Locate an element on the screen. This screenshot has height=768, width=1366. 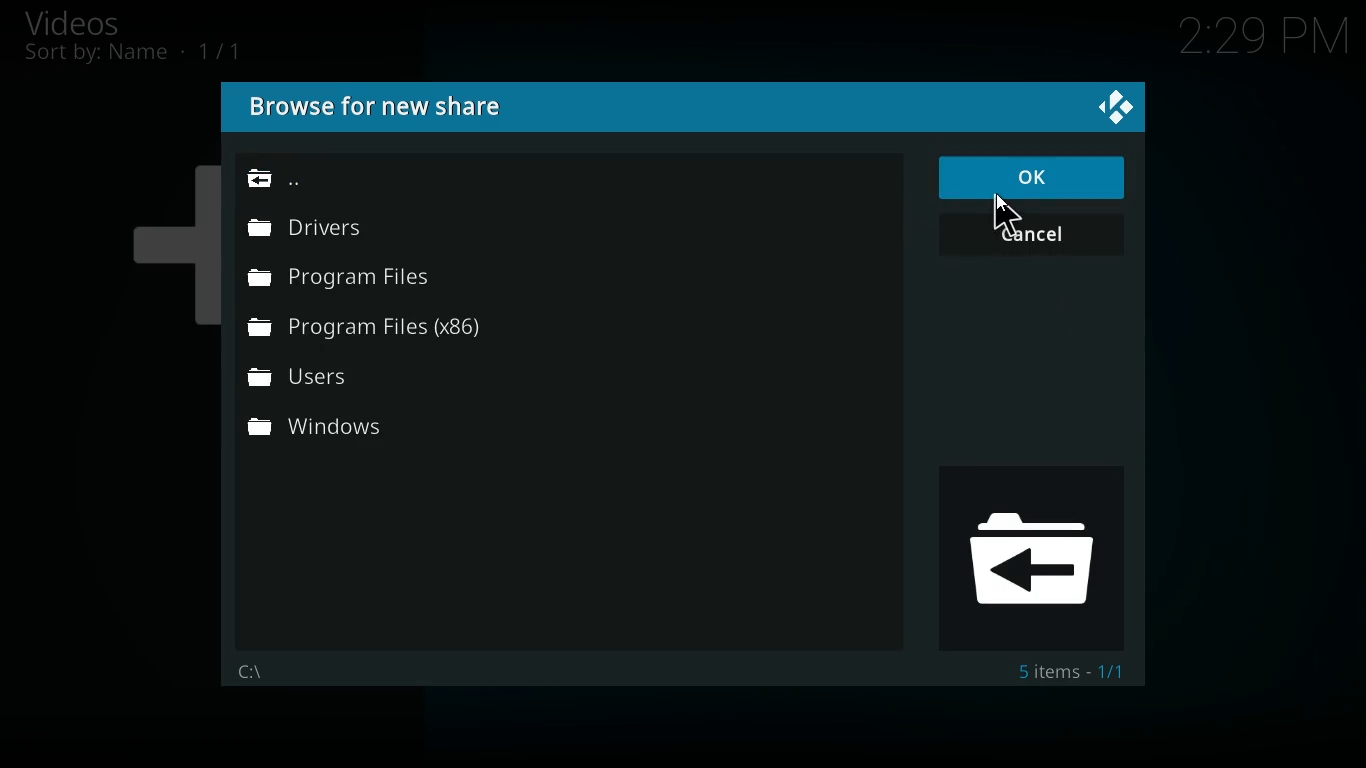
browse for new share is located at coordinates (377, 108).